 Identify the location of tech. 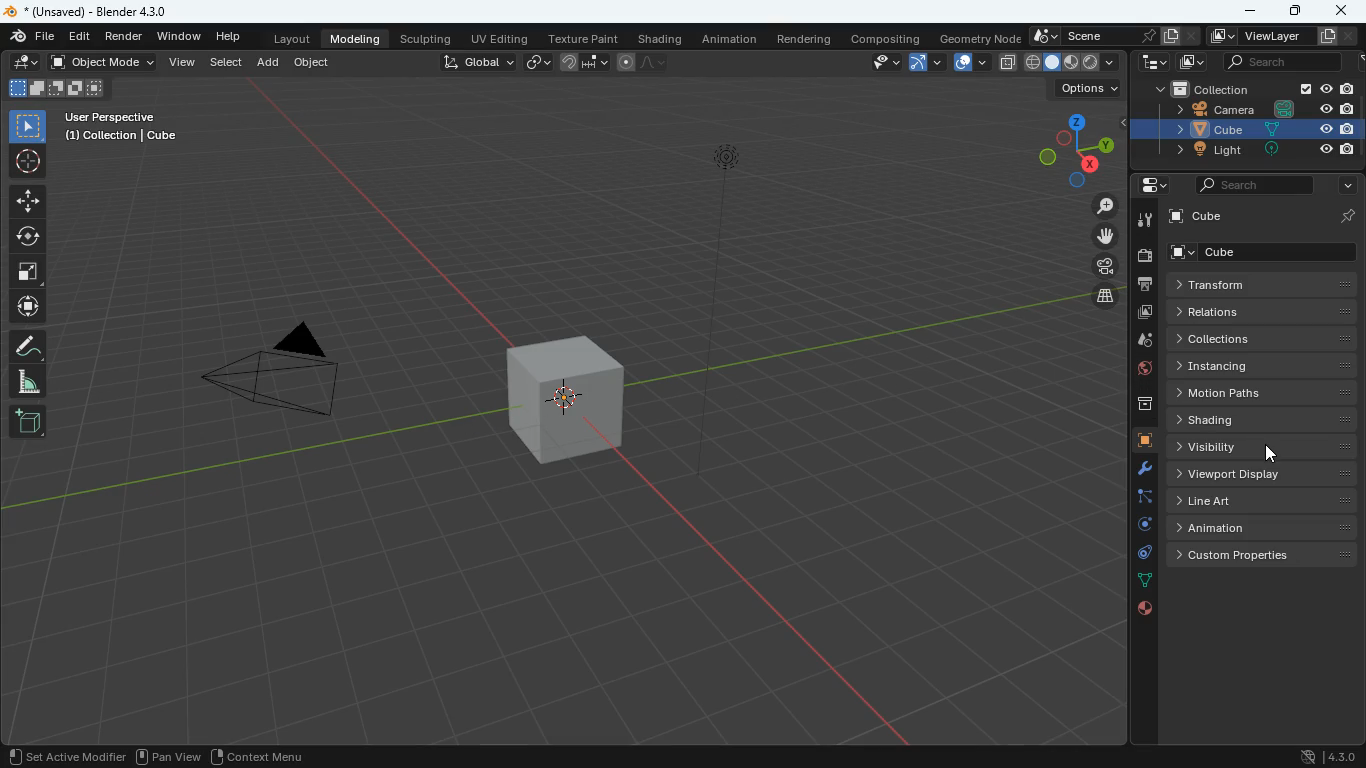
(1149, 63).